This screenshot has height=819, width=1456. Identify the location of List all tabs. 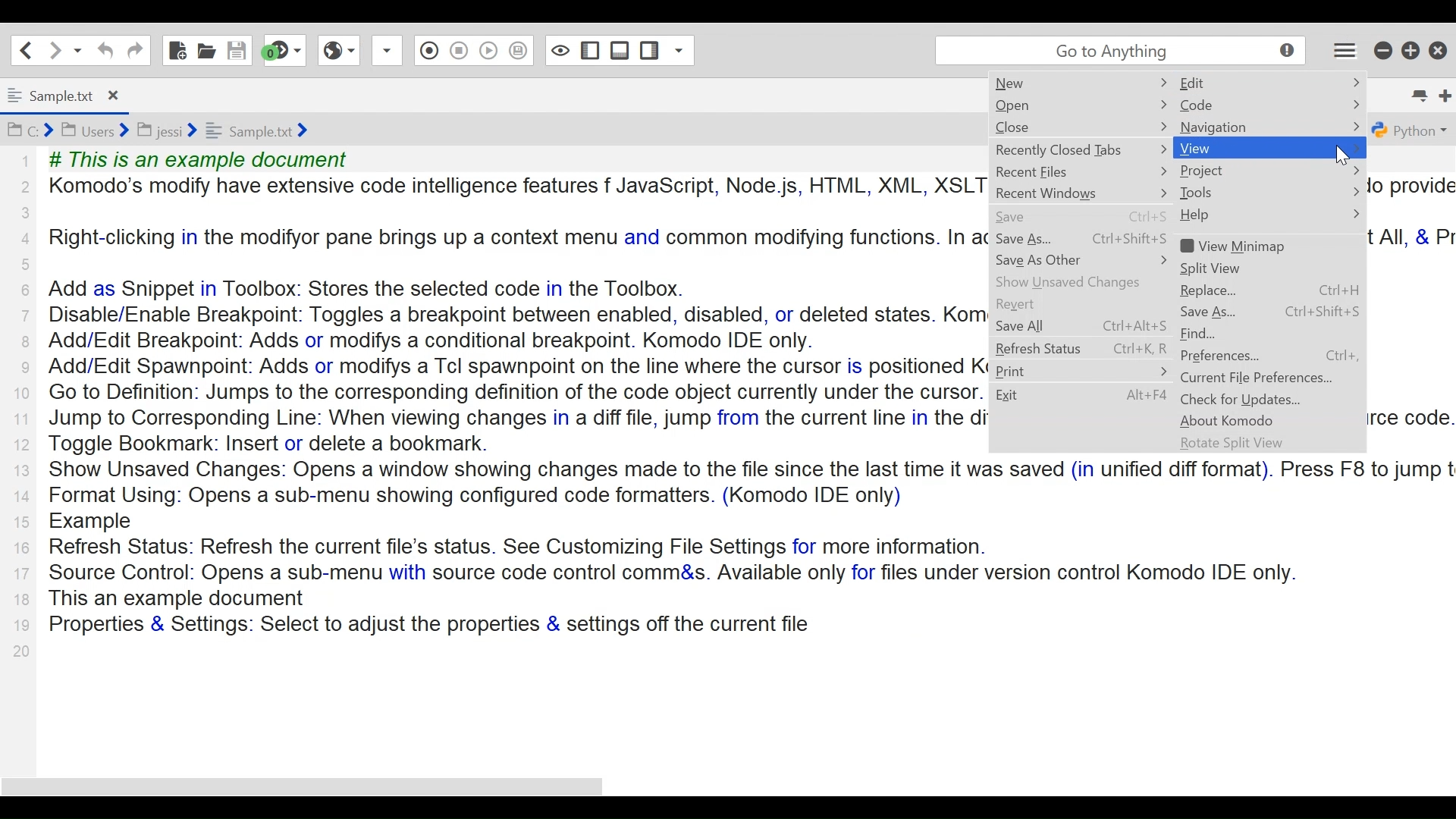
(1414, 93).